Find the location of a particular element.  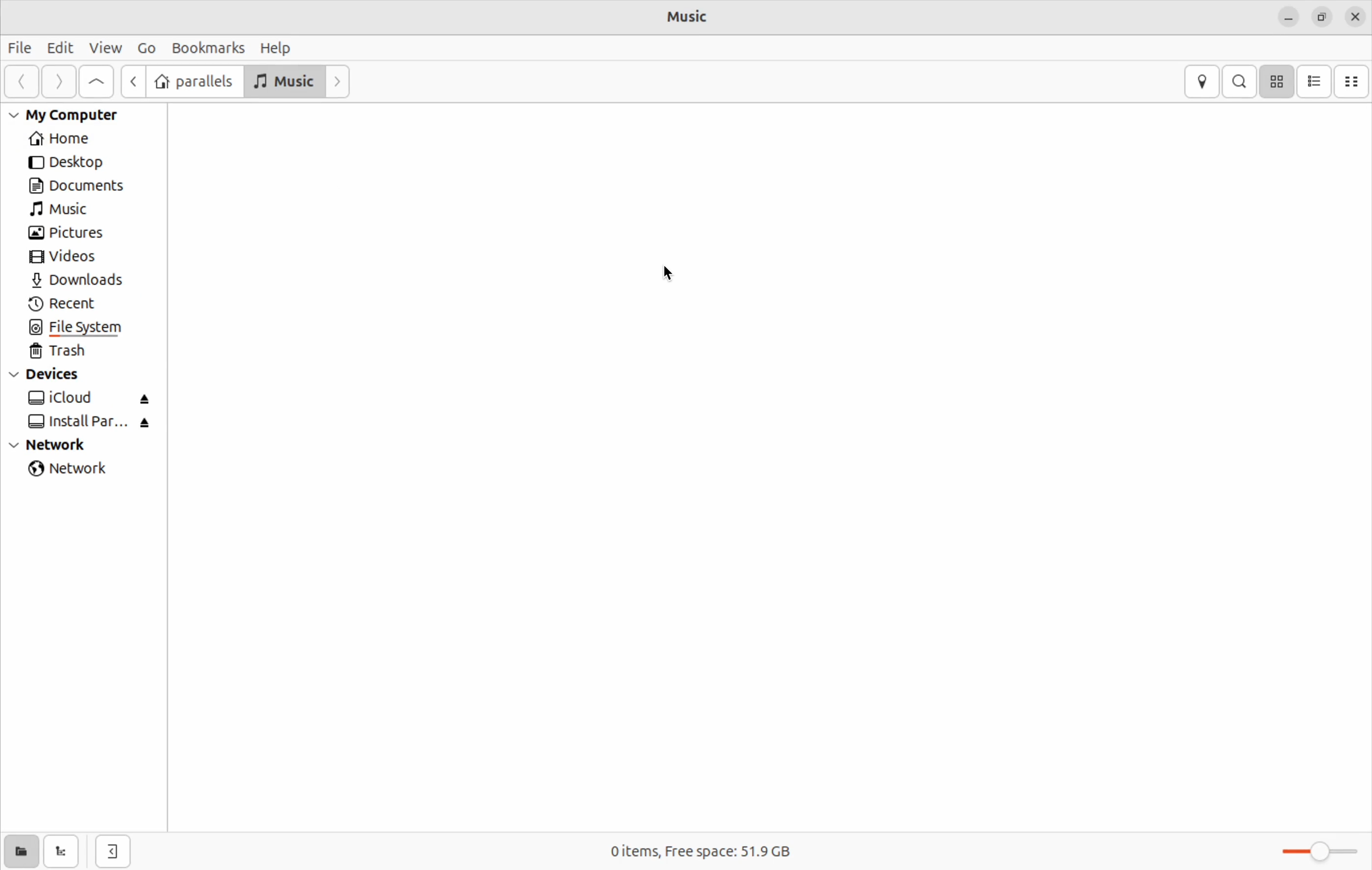

network is located at coordinates (75, 471).